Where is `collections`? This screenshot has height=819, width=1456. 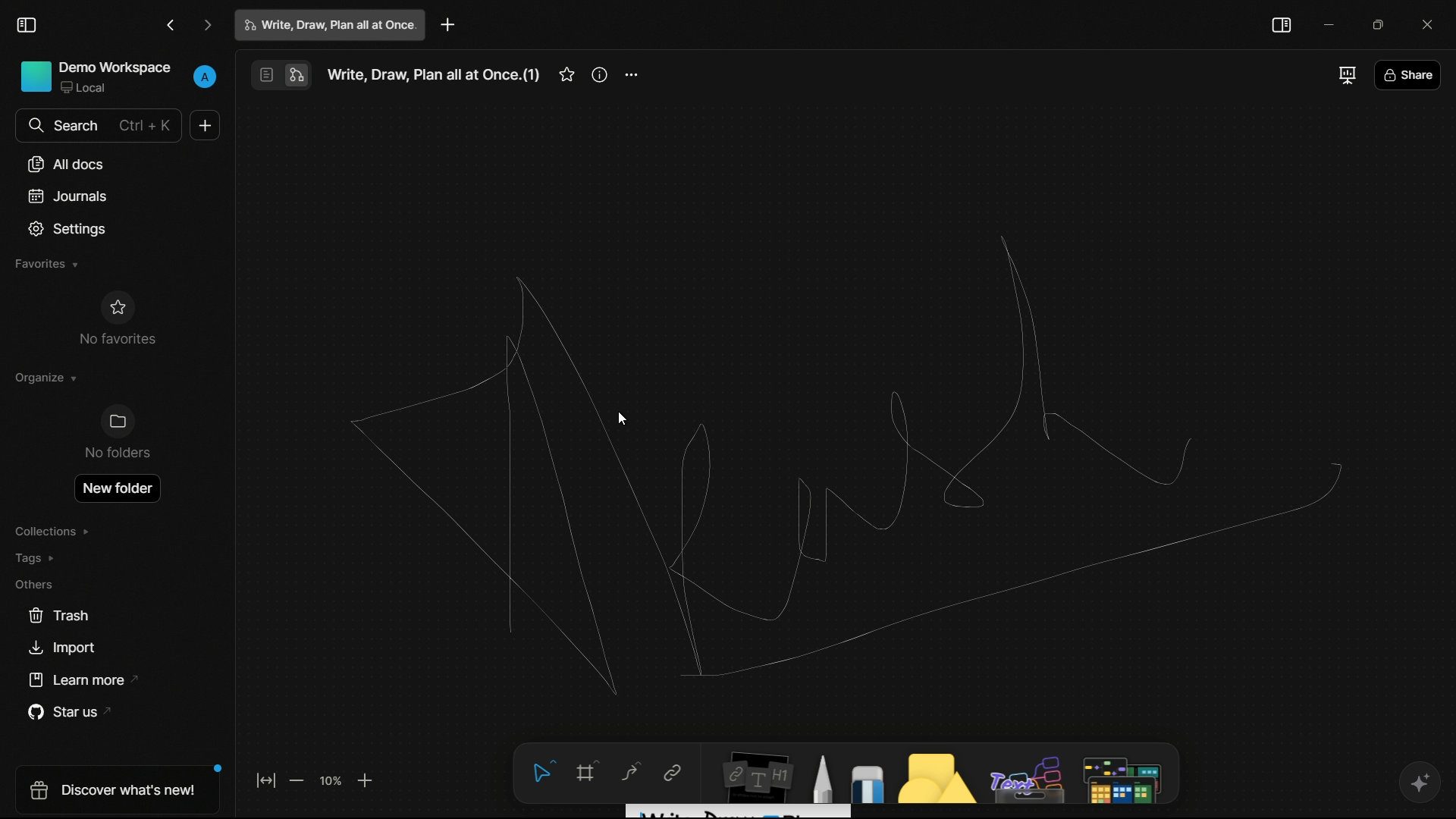
collections is located at coordinates (52, 532).